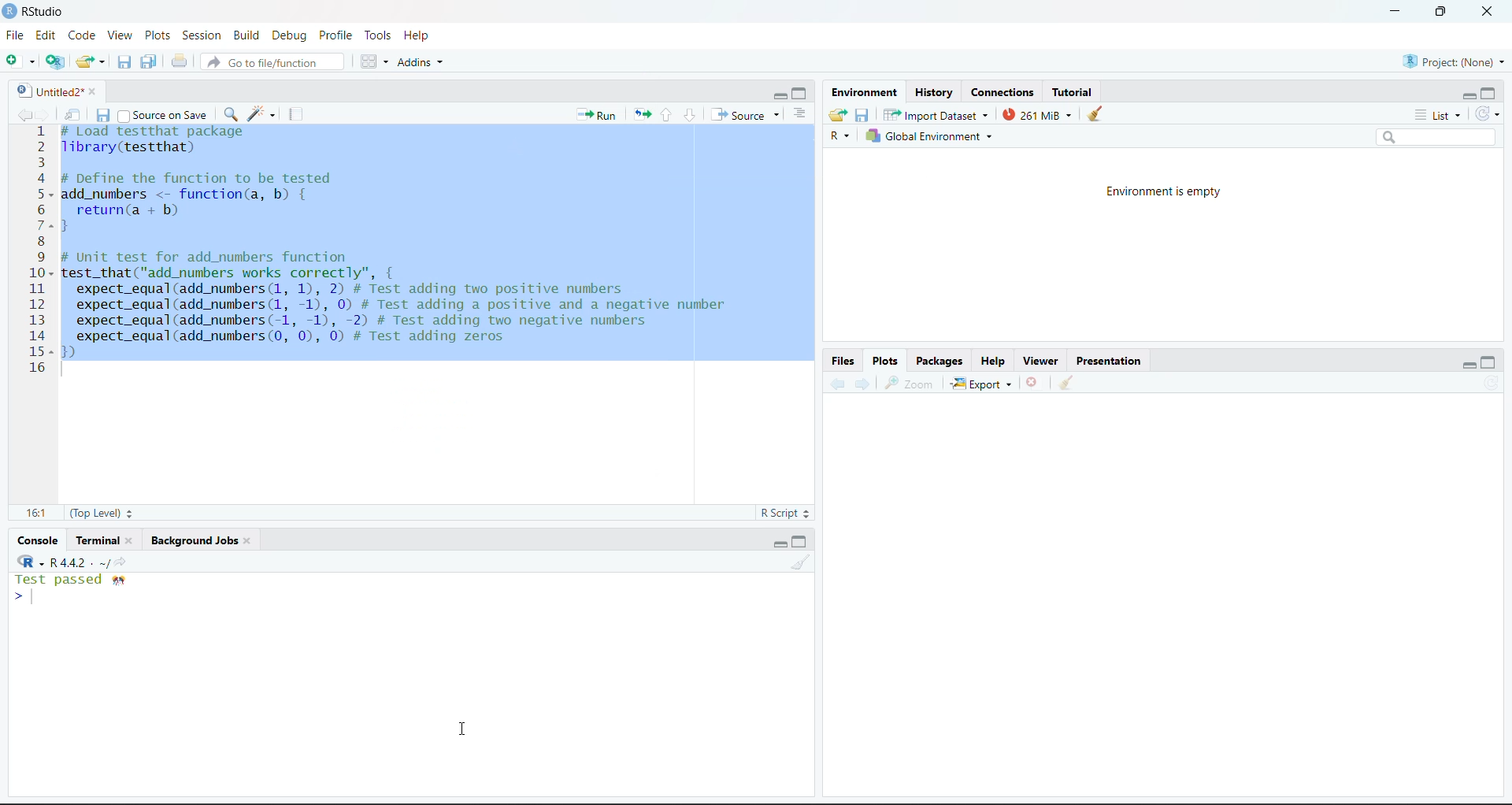 Image resolution: width=1512 pixels, height=805 pixels. Describe the element at coordinates (102, 116) in the screenshot. I see `Save` at that location.